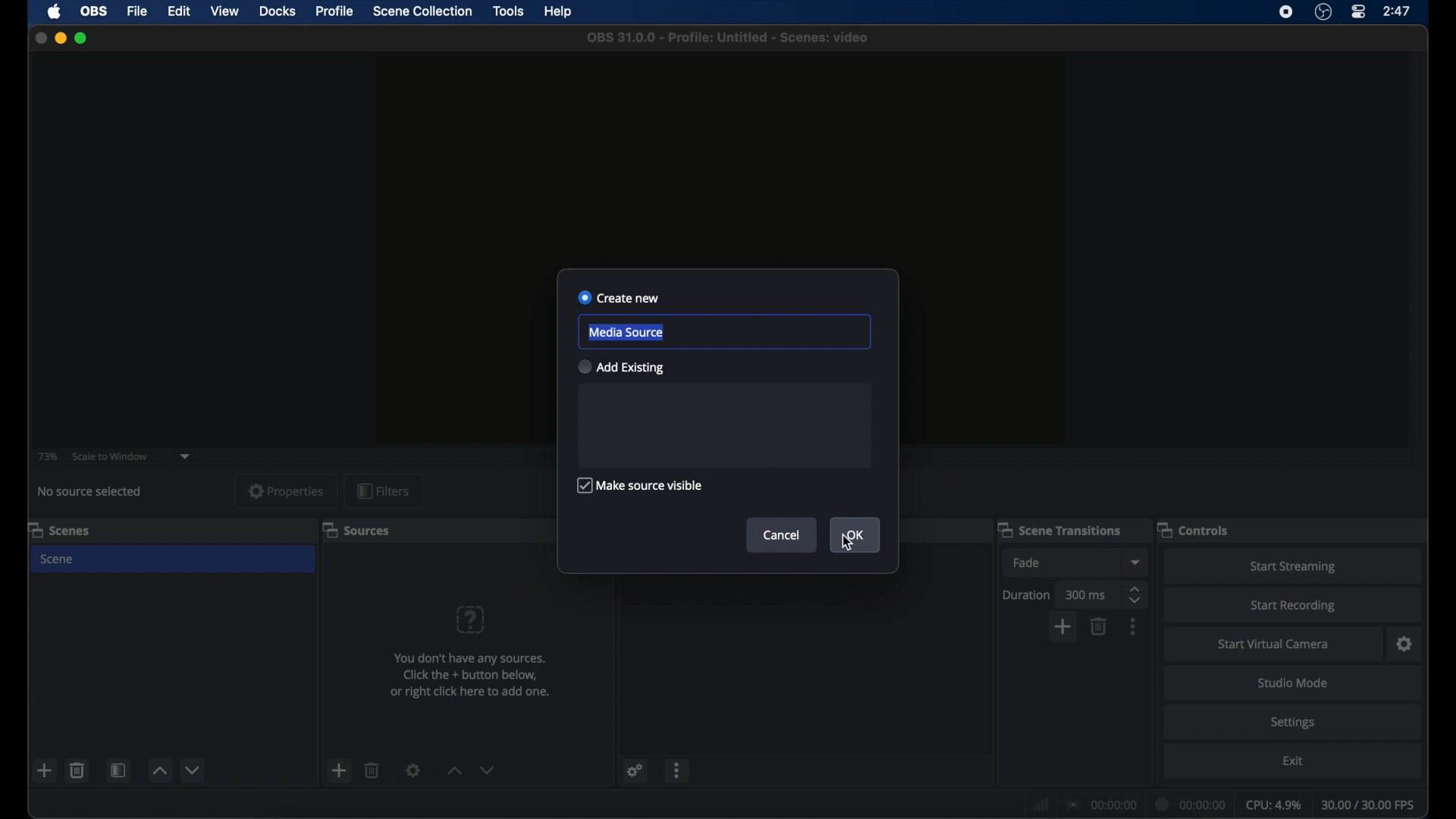 The image size is (1456, 819). What do you see at coordinates (40, 37) in the screenshot?
I see `close` at bounding box center [40, 37].